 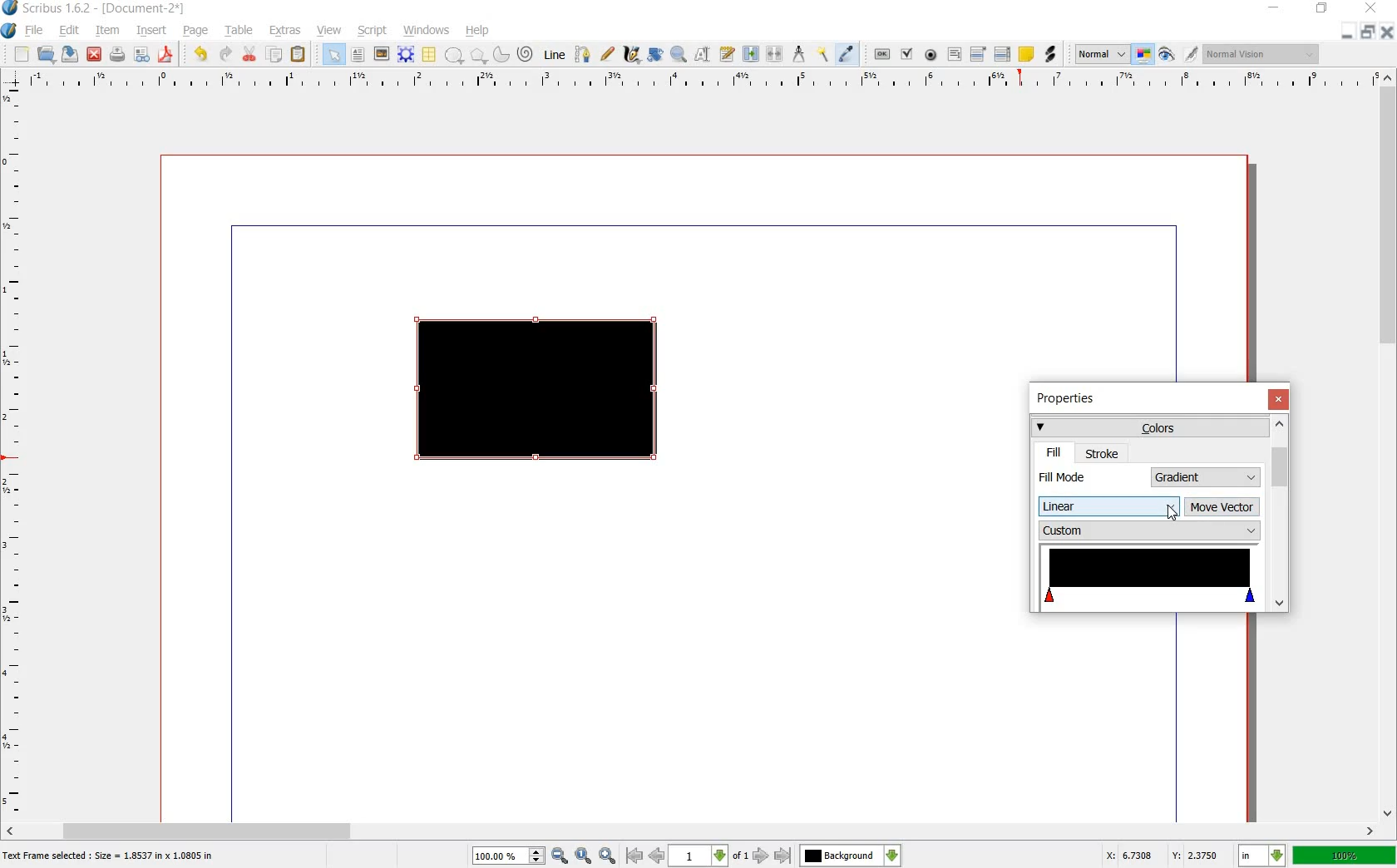 I want to click on 100%, so click(x=500, y=856).